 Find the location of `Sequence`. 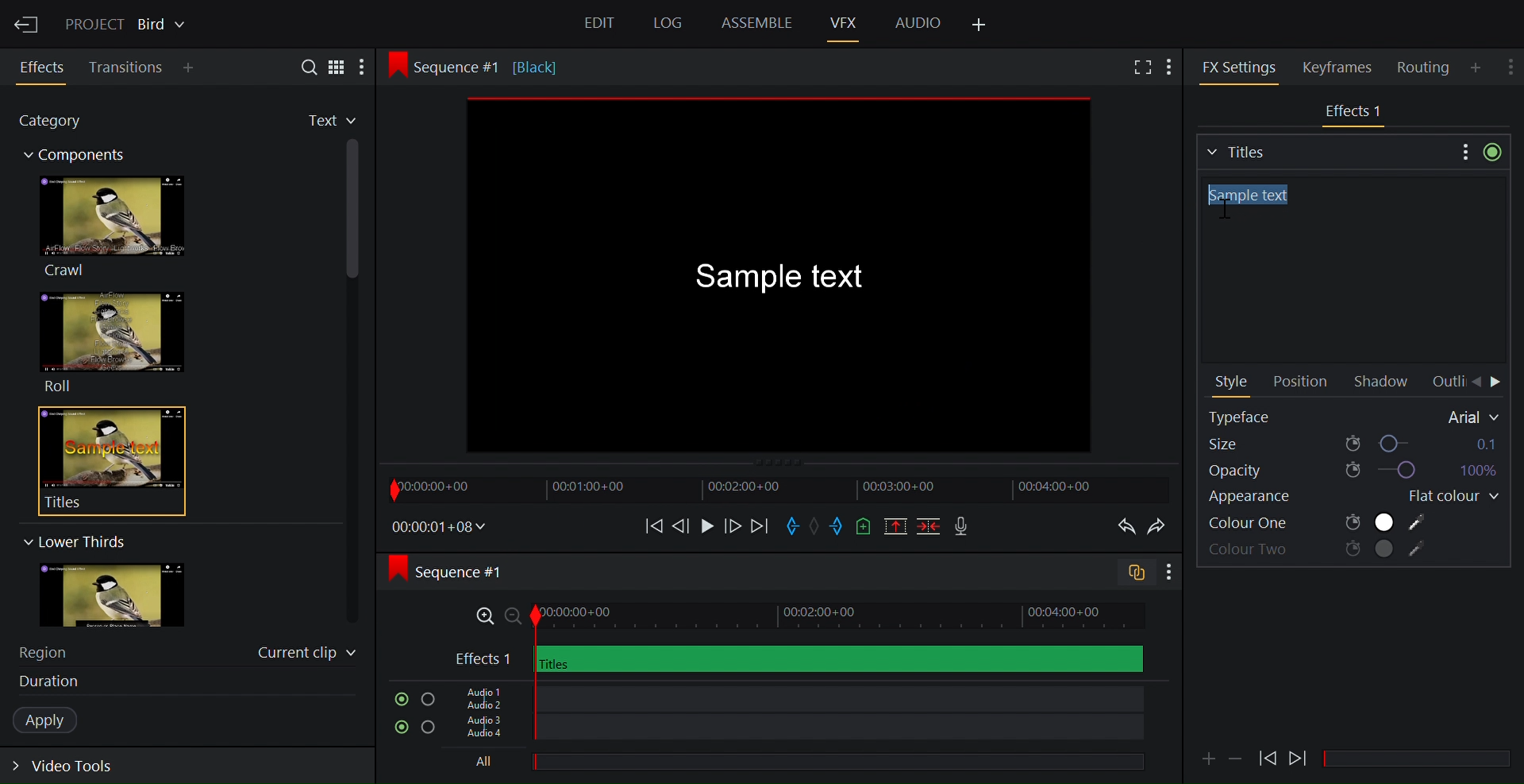

Sequence is located at coordinates (464, 571).